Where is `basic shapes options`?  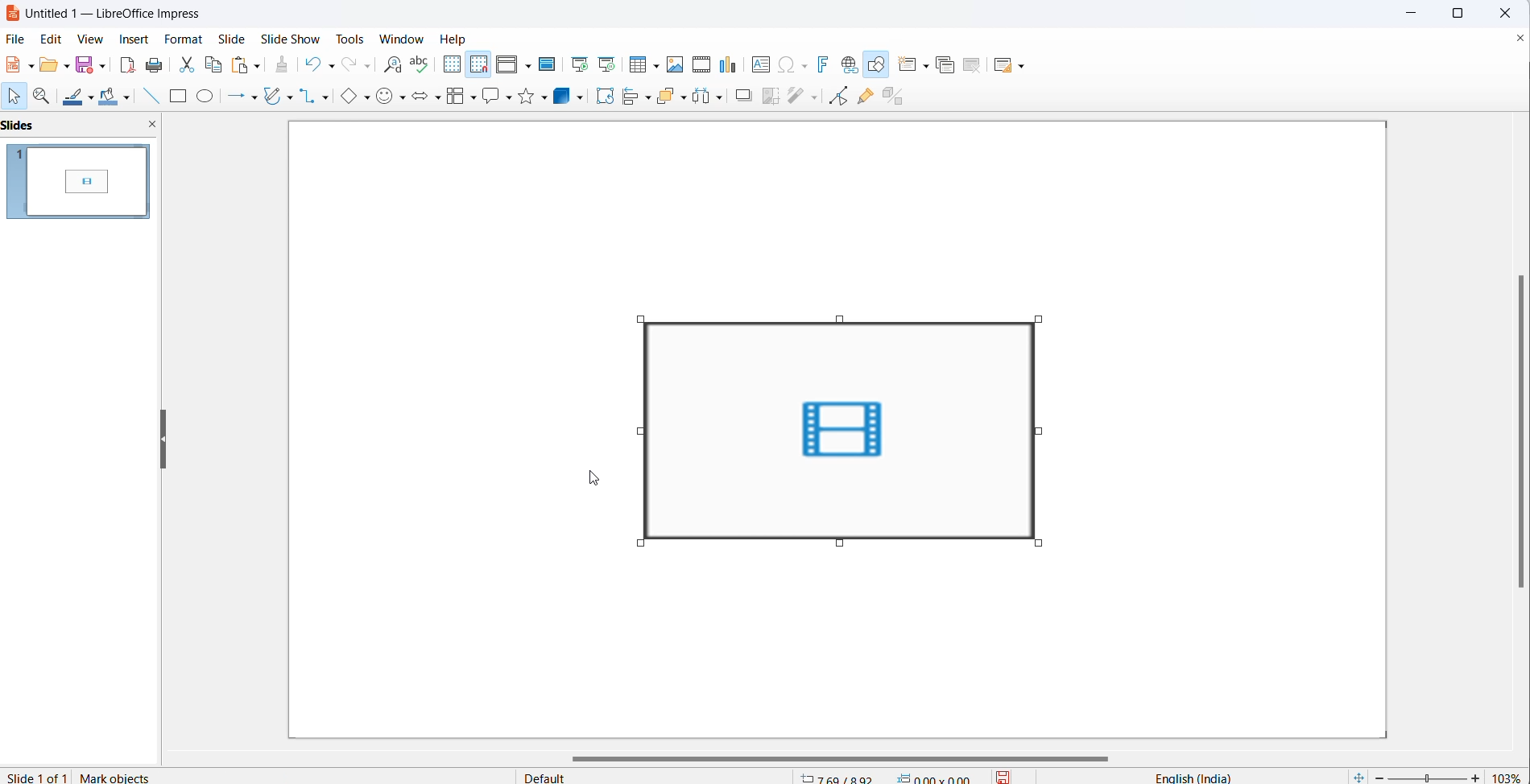 basic shapes options is located at coordinates (369, 99).